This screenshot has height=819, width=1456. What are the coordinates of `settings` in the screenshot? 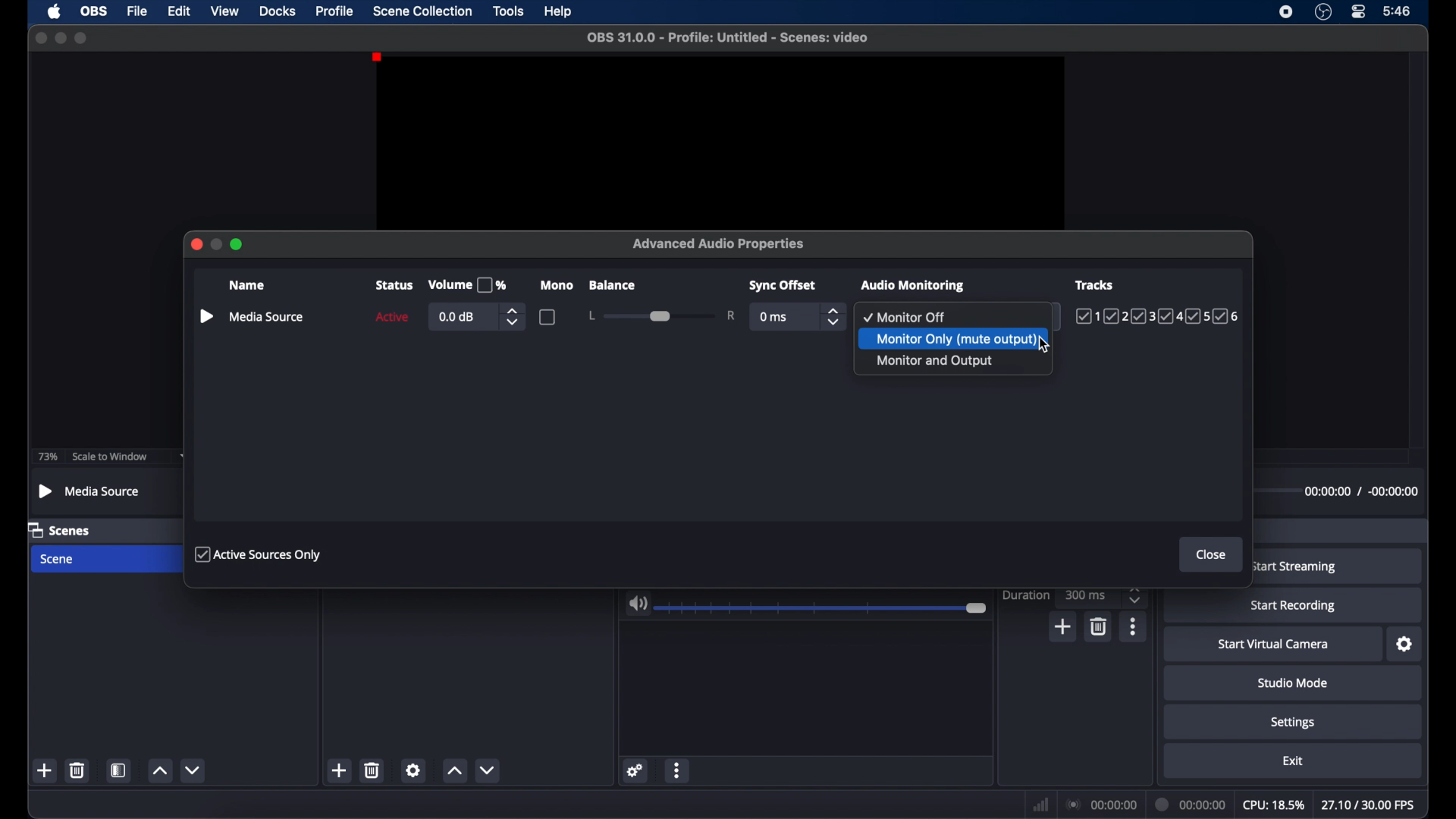 It's located at (1293, 722).